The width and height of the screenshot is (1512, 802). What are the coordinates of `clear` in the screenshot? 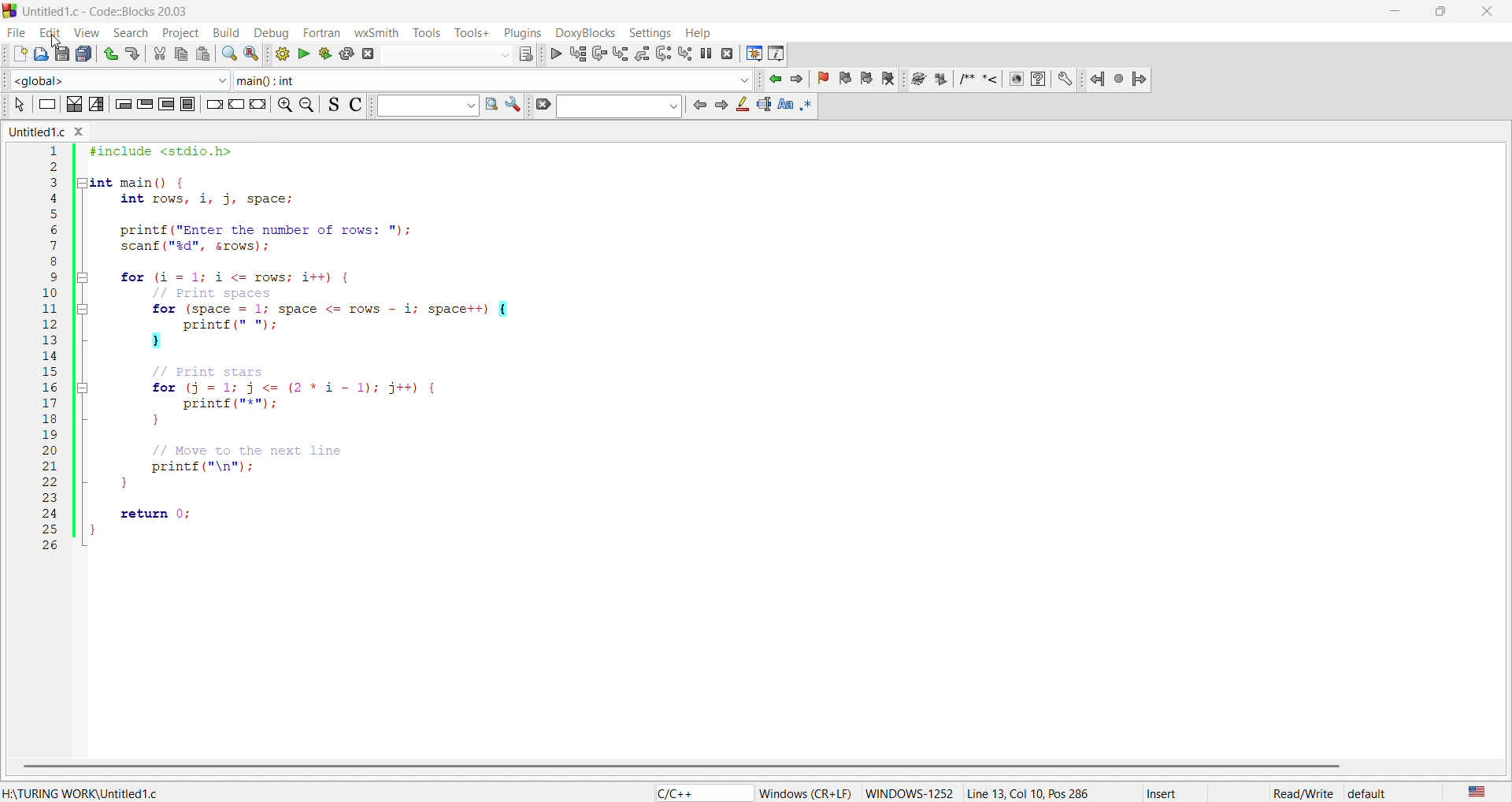 It's located at (540, 105).